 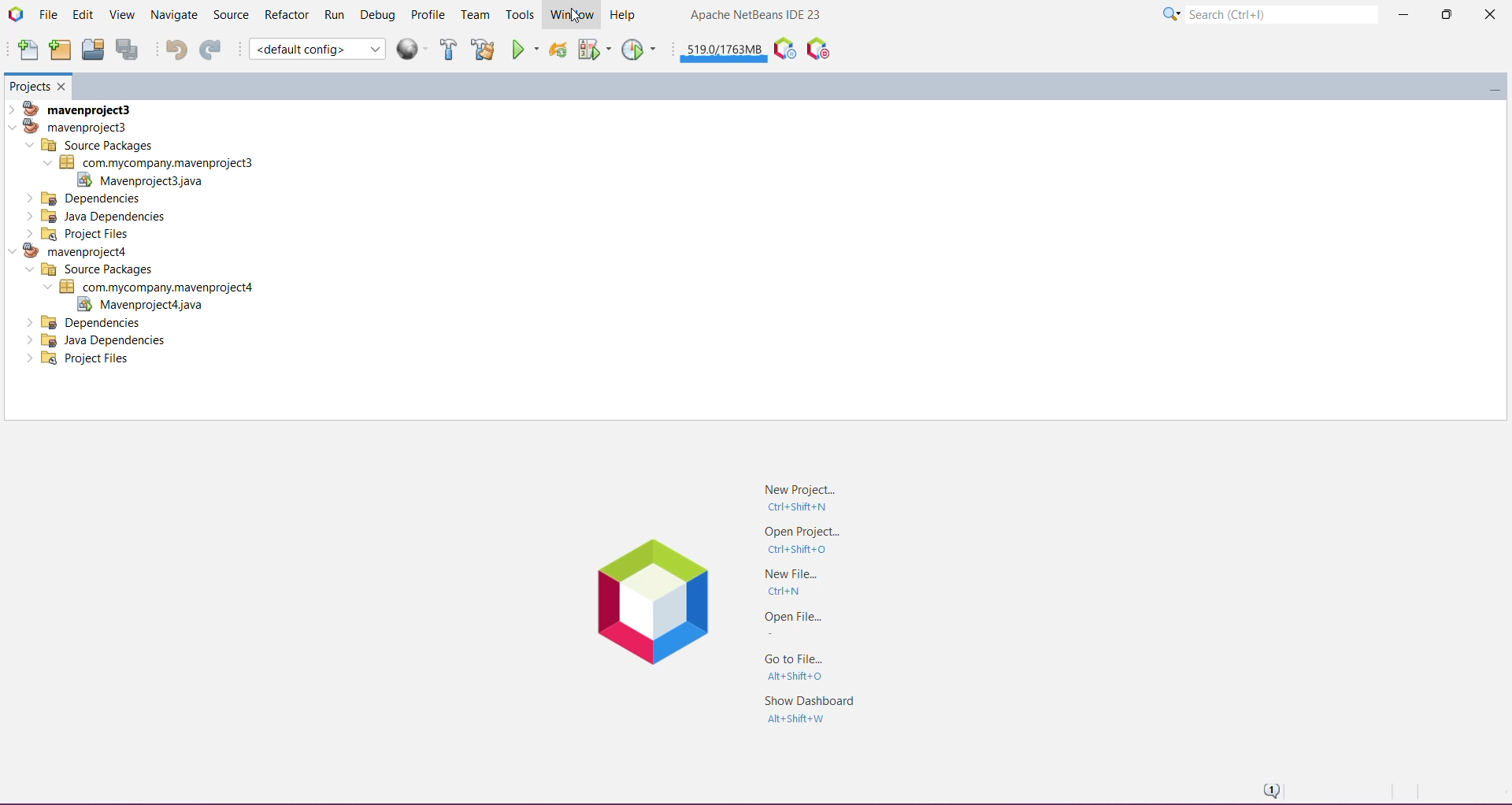 What do you see at coordinates (798, 667) in the screenshot?
I see `Go to Files...` at bounding box center [798, 667].